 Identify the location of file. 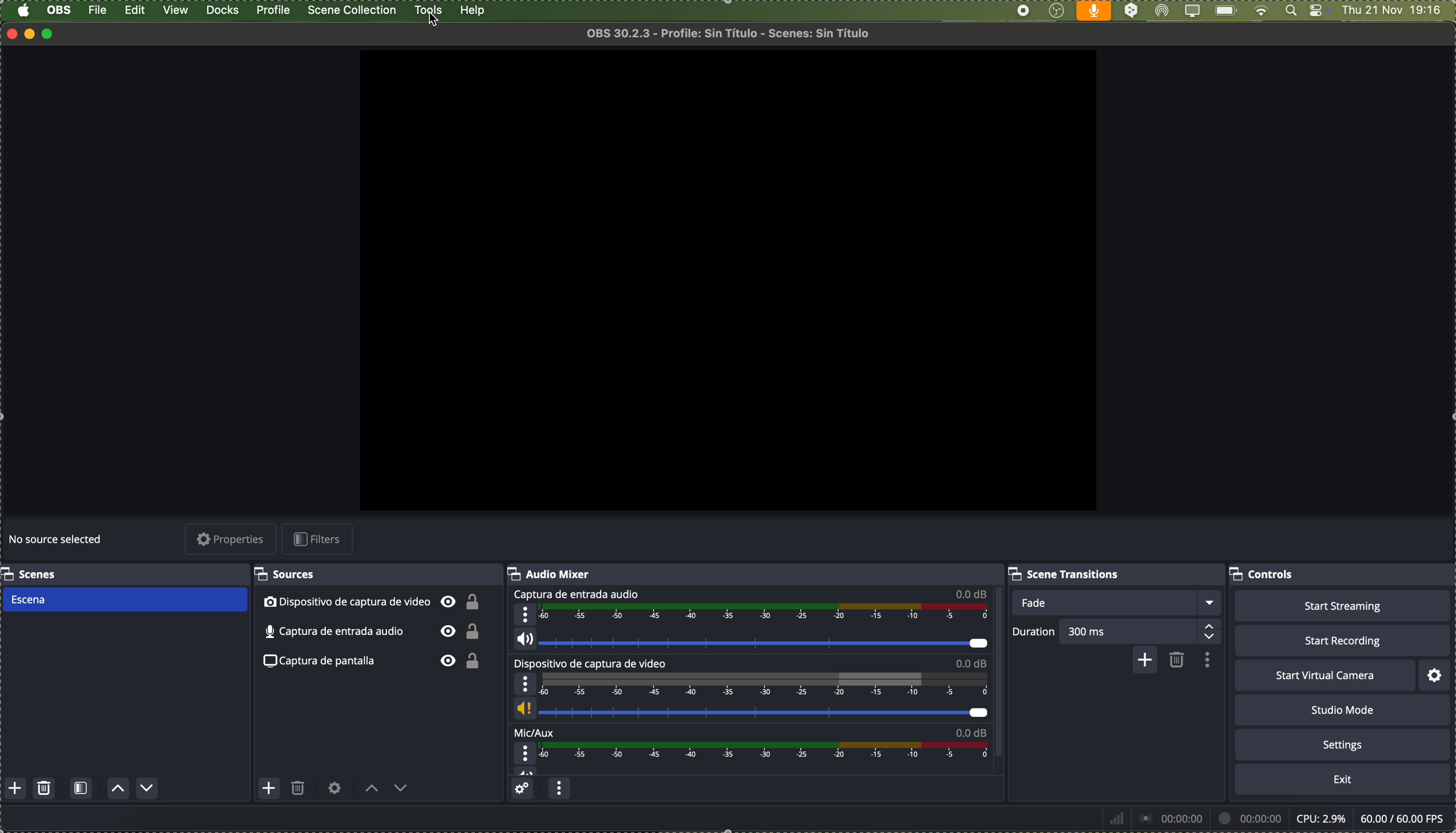
(99, 10).